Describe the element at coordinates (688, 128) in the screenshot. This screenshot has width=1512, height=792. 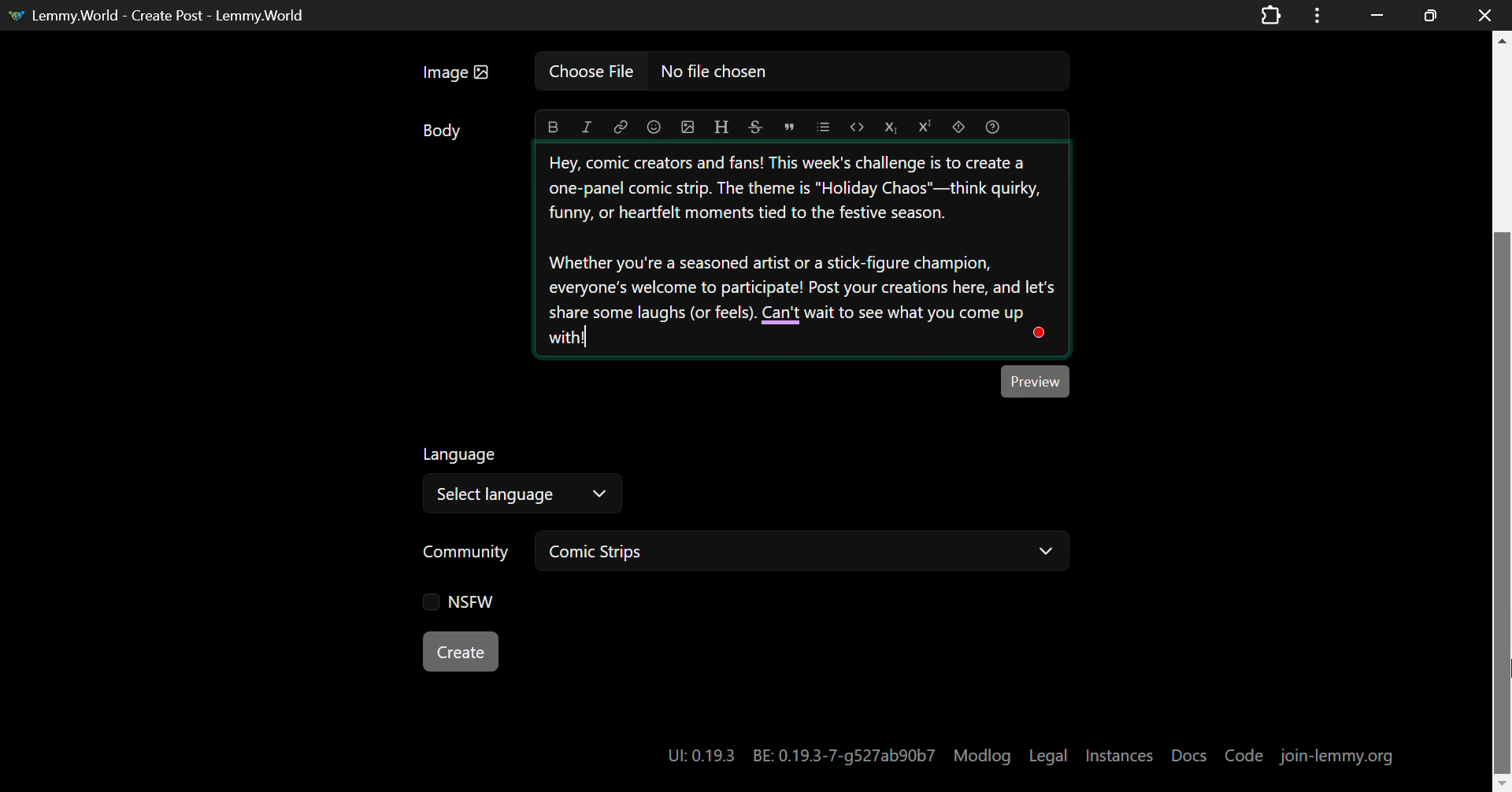
I see `upload image` at that location.